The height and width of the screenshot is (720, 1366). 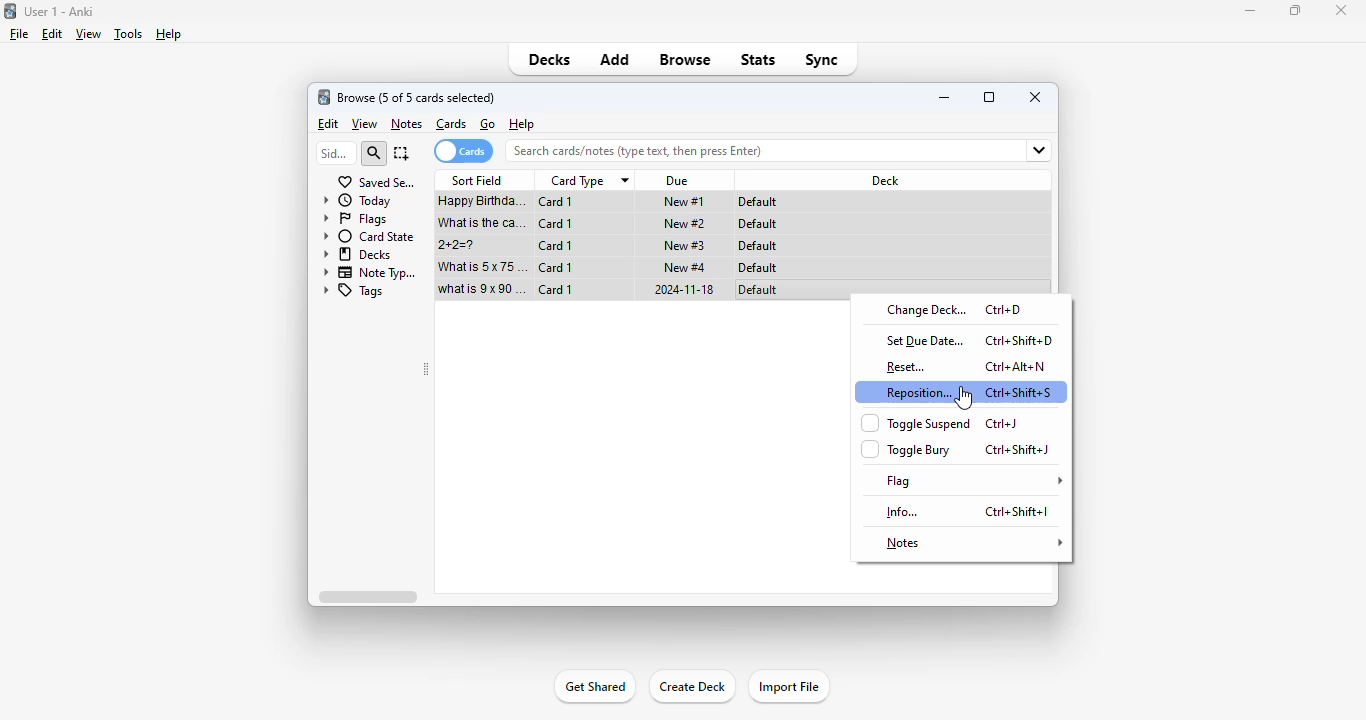 What do you see at coordinates (925, 340) in the screenshot?
I see `set due date` at bounding box center [925, 340].